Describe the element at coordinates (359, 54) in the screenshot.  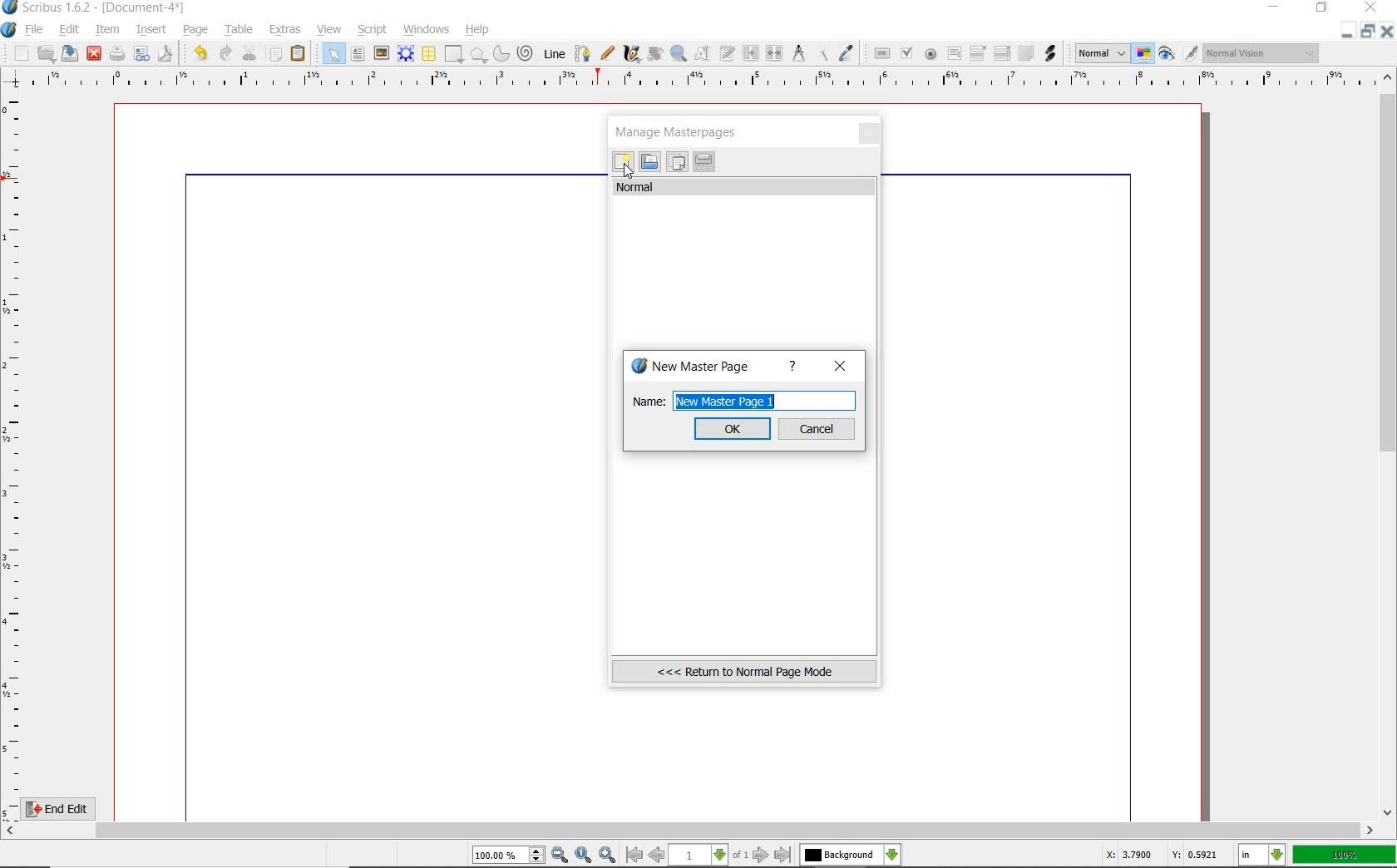
I see `text frame` at that location.